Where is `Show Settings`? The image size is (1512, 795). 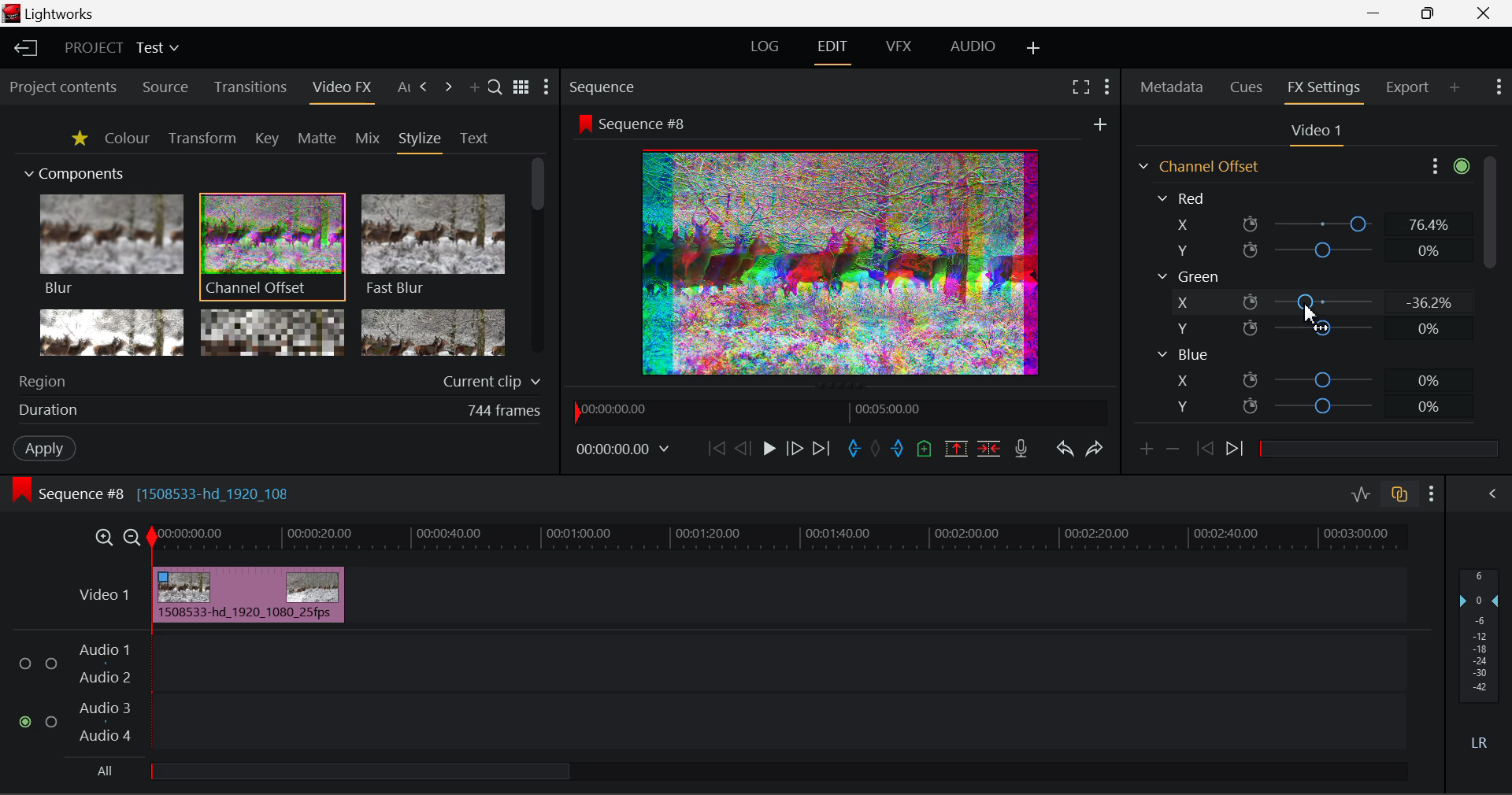
Show Settings is located at coordinates (1447, 167).